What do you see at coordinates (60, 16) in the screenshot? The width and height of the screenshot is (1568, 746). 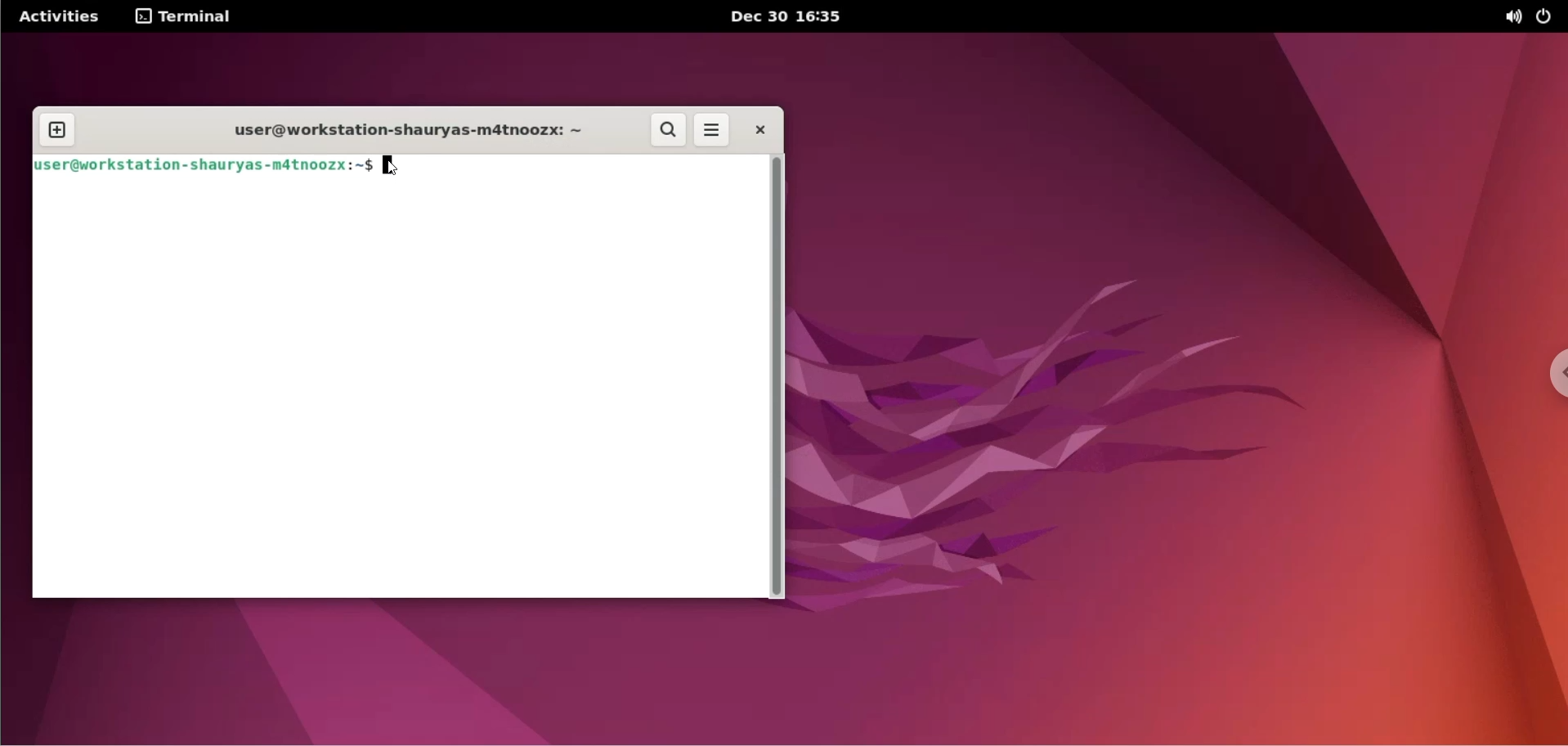 I see `activities` at bounding box center [60, 16].